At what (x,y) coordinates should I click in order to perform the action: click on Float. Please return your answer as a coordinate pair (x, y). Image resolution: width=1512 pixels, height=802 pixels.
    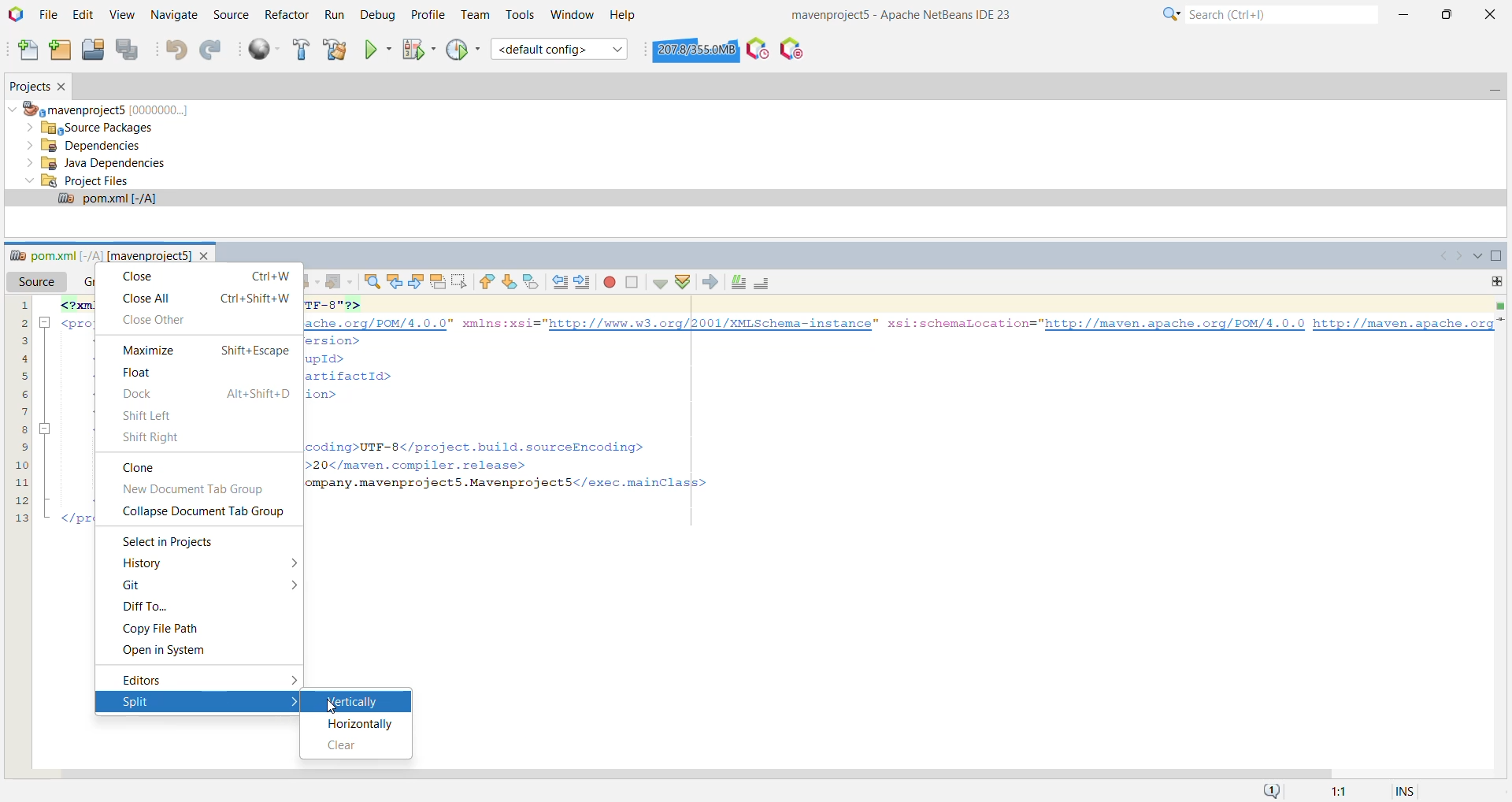
    Looking at the image, I should click on (144, 373).